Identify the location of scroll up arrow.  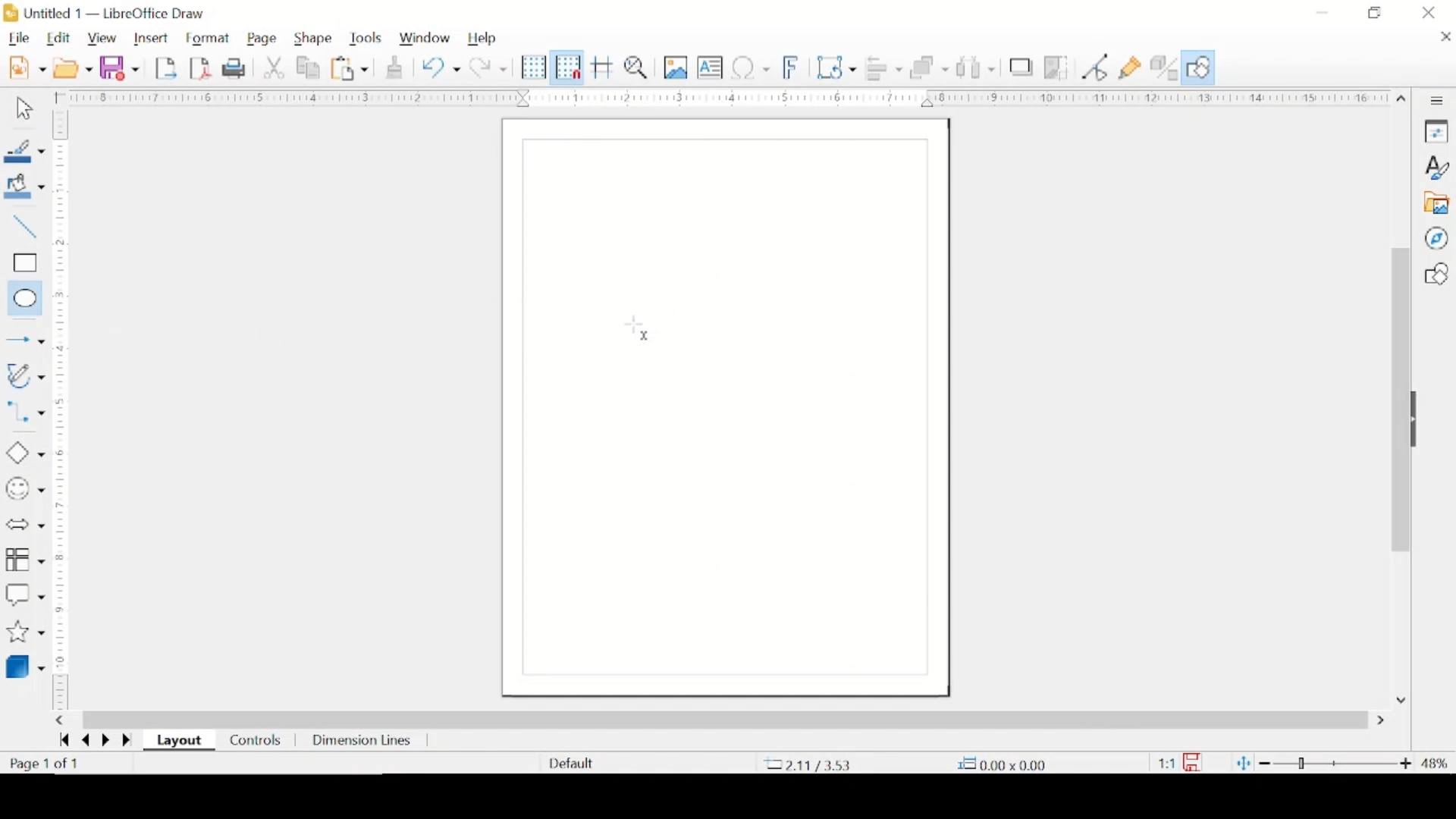
(1402, 96).